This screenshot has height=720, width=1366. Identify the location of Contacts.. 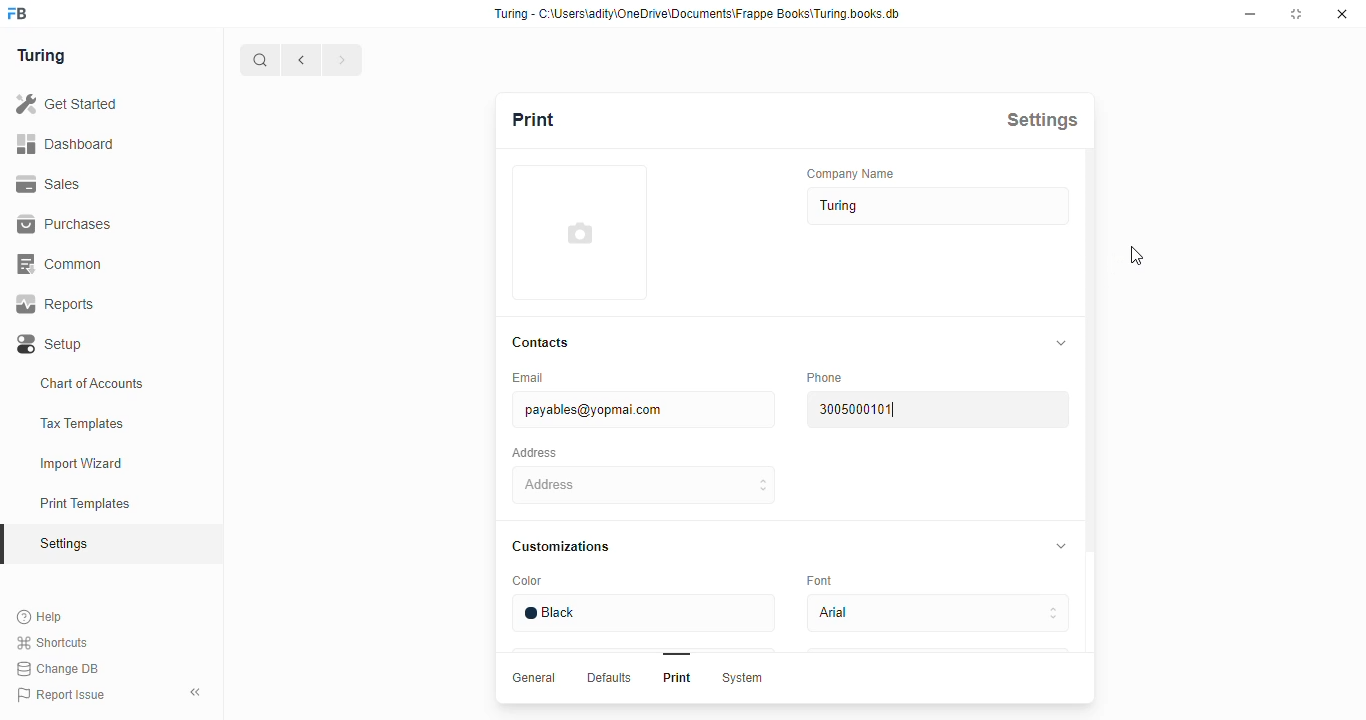
(542, 344).